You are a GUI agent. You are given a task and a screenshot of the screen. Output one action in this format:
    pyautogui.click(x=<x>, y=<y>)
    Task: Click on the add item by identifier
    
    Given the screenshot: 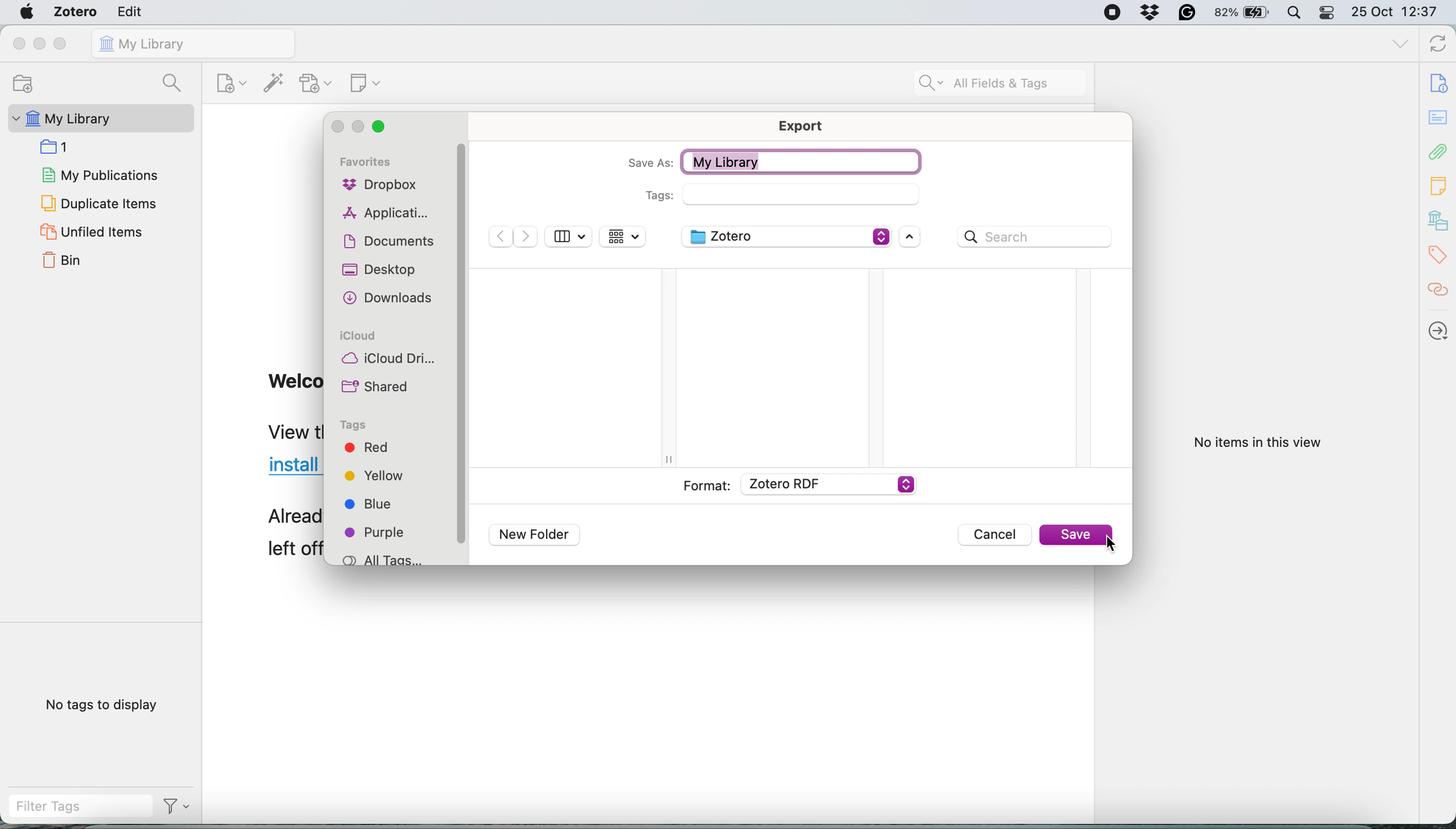 What is the action you would take?
    pyautogui.click(x=275, y=84)
    